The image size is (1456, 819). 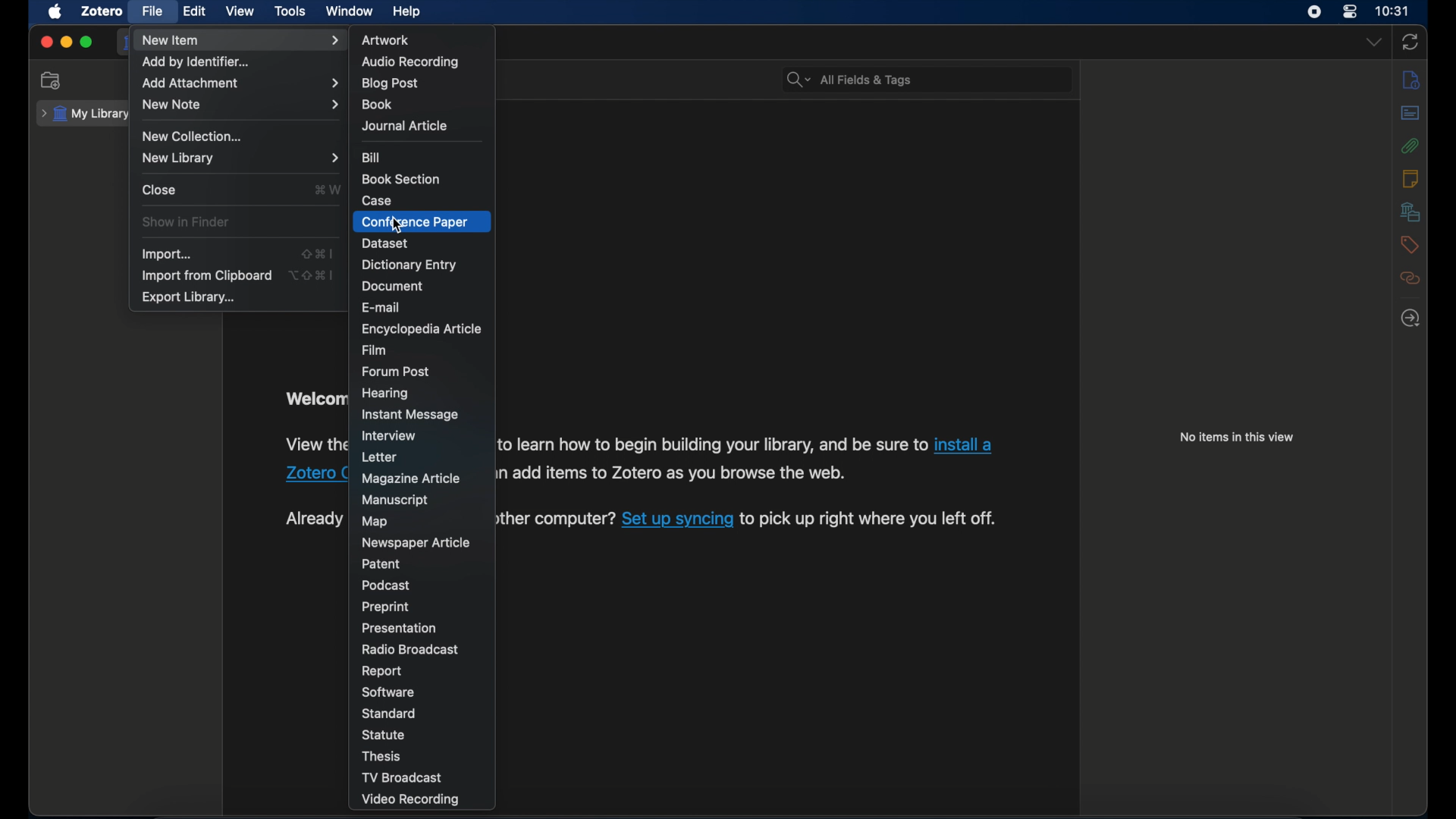 I want to click on new item, so click(x=240, y=40).